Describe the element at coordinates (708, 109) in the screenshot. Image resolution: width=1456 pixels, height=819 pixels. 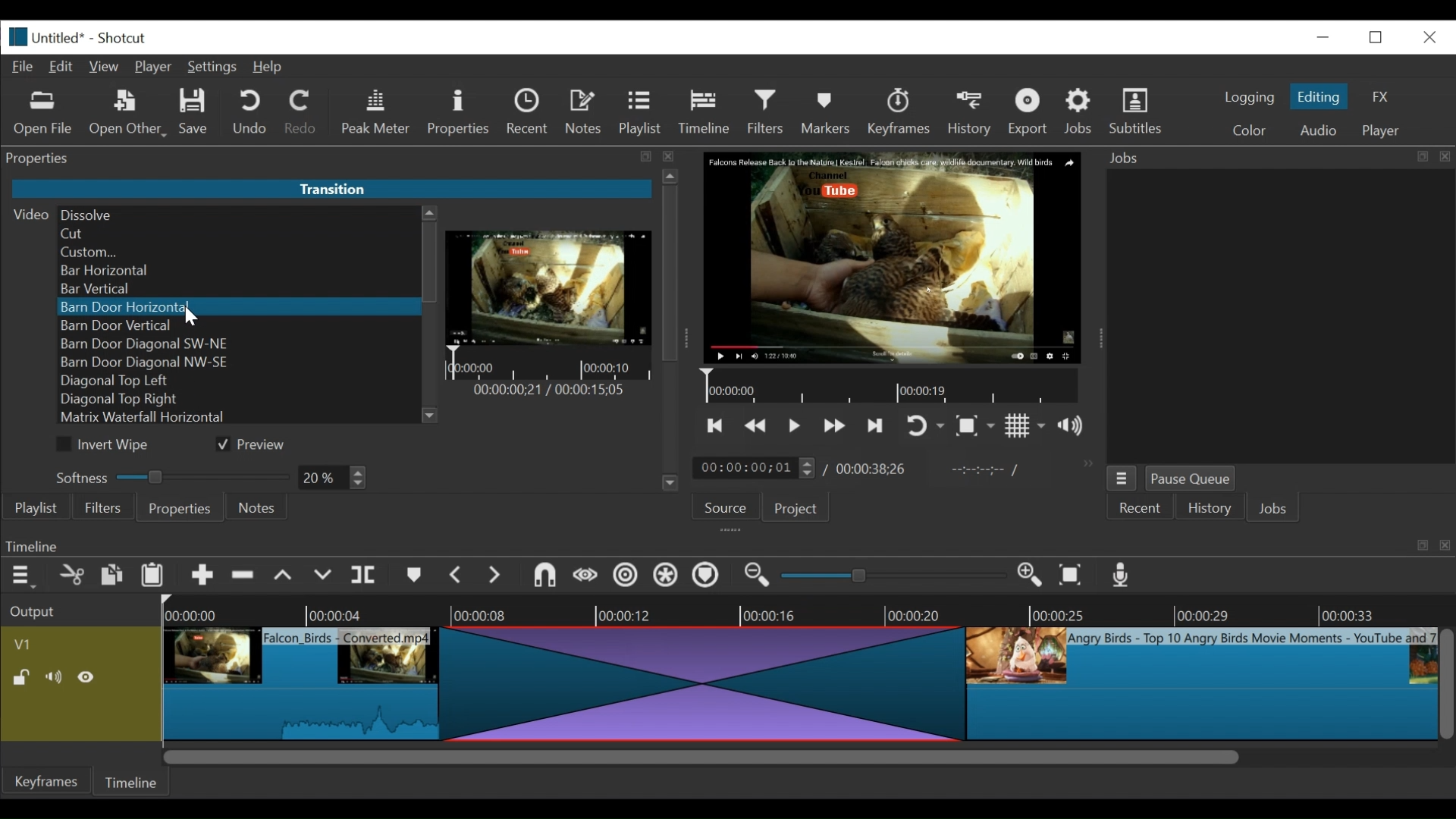
I see `Timeline` at that location.